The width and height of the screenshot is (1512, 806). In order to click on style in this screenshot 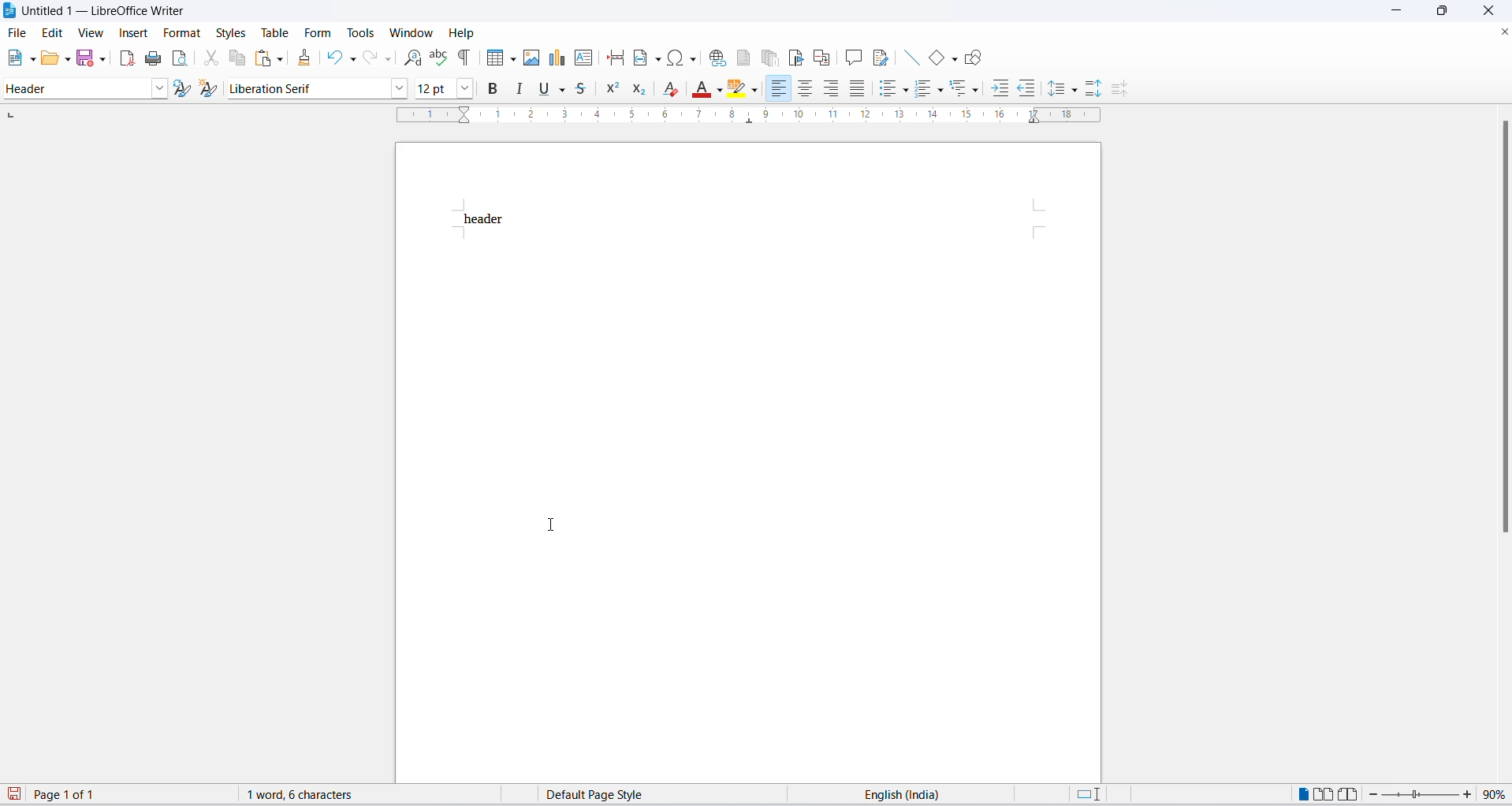, I will do `click(73, 90)`.